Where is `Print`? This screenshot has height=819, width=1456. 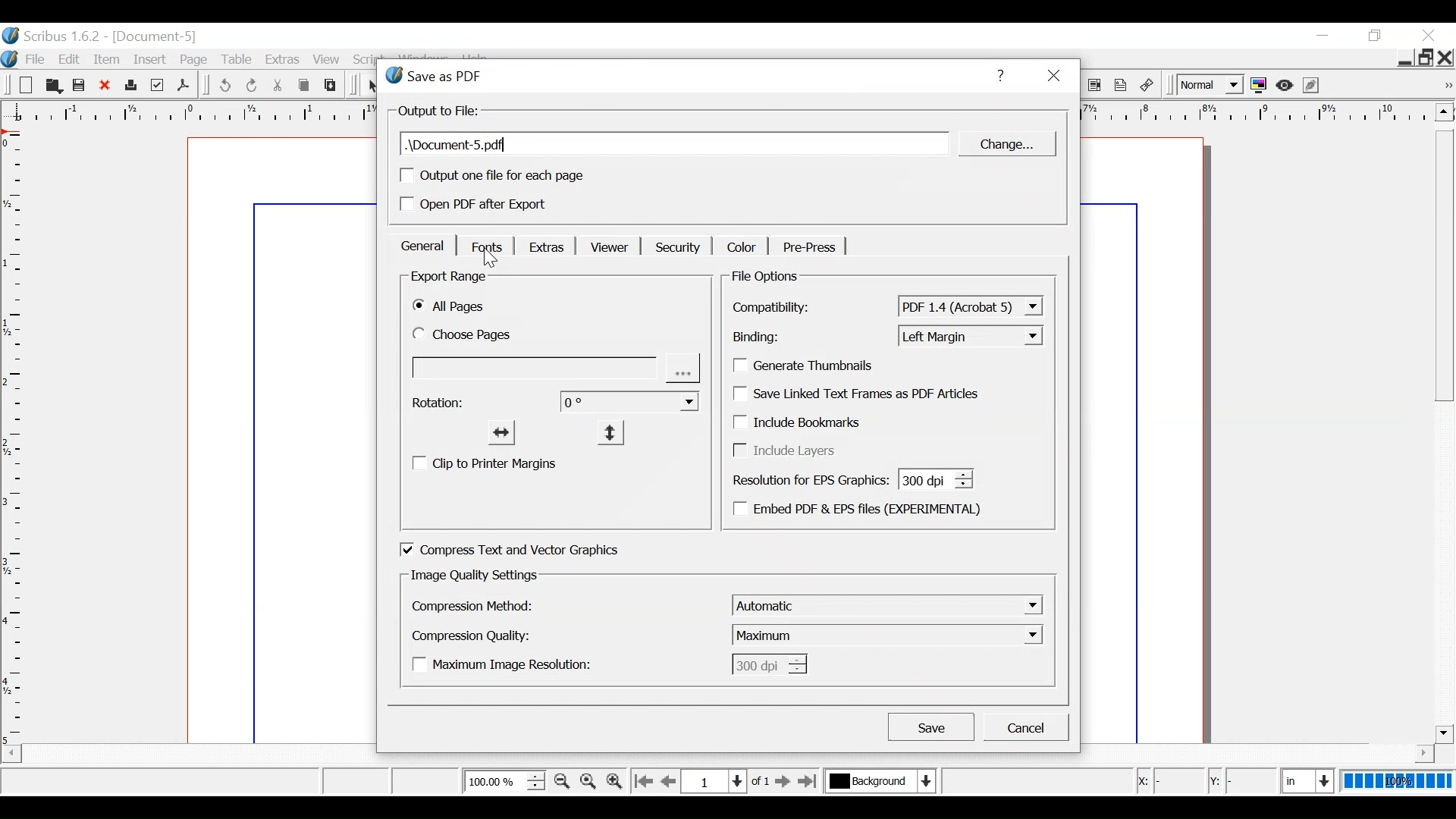
Print is located at coordinates (130, 86).